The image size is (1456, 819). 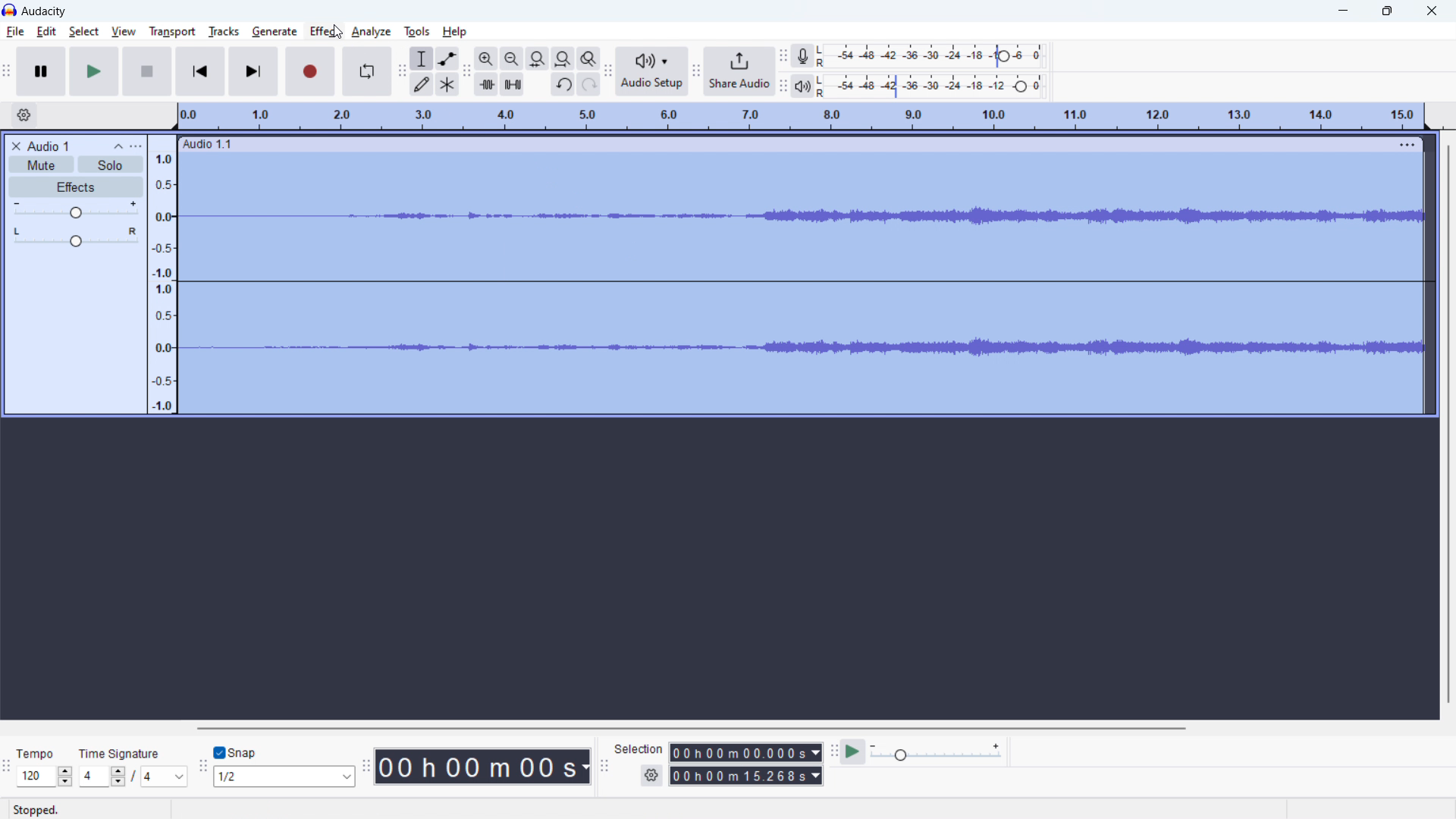 I want to click on project title, so click(x=49, y=146).